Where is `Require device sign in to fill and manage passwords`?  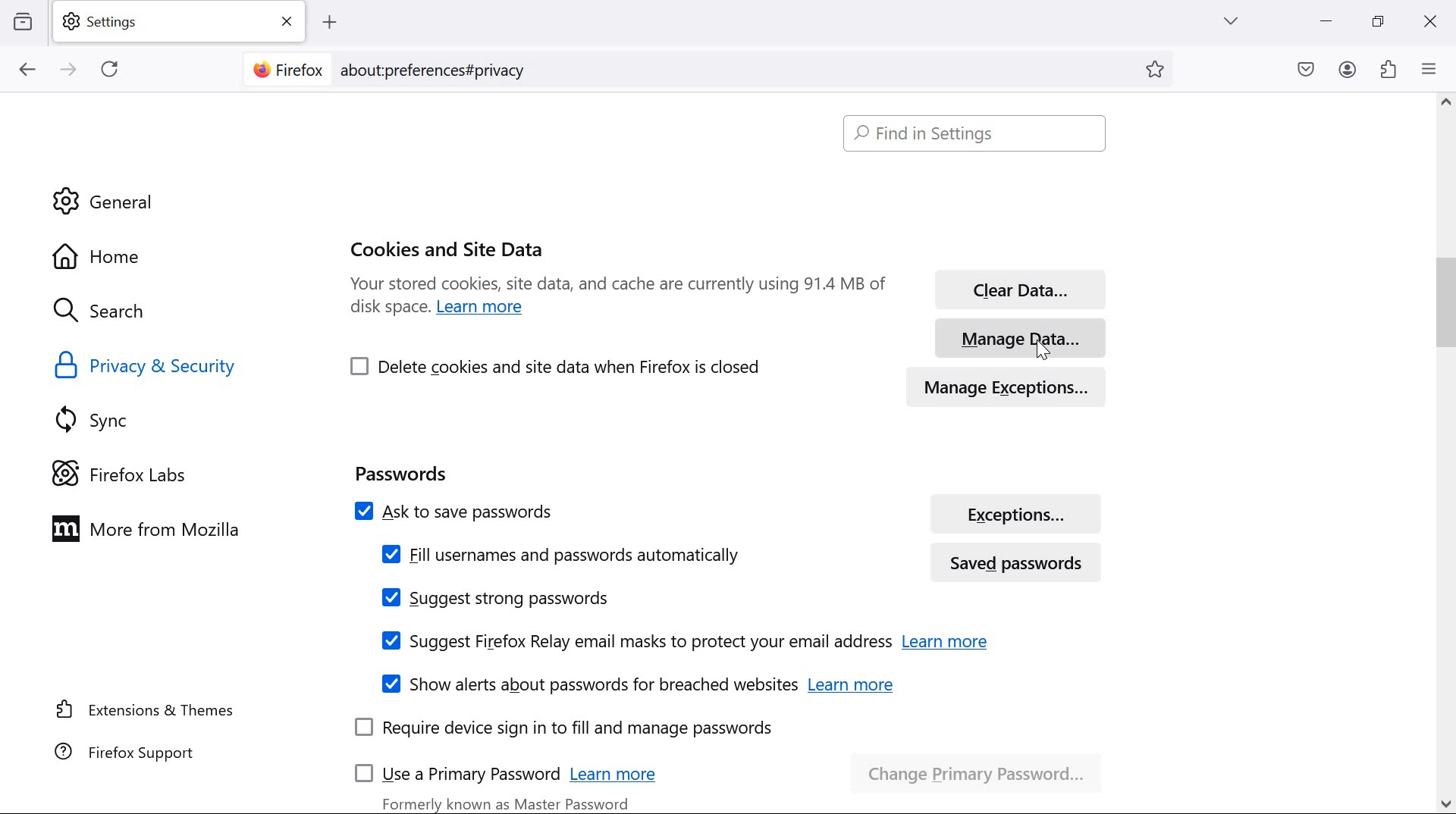
Require device sign in to fill and manage passwords is located at coordinates (564, 729).